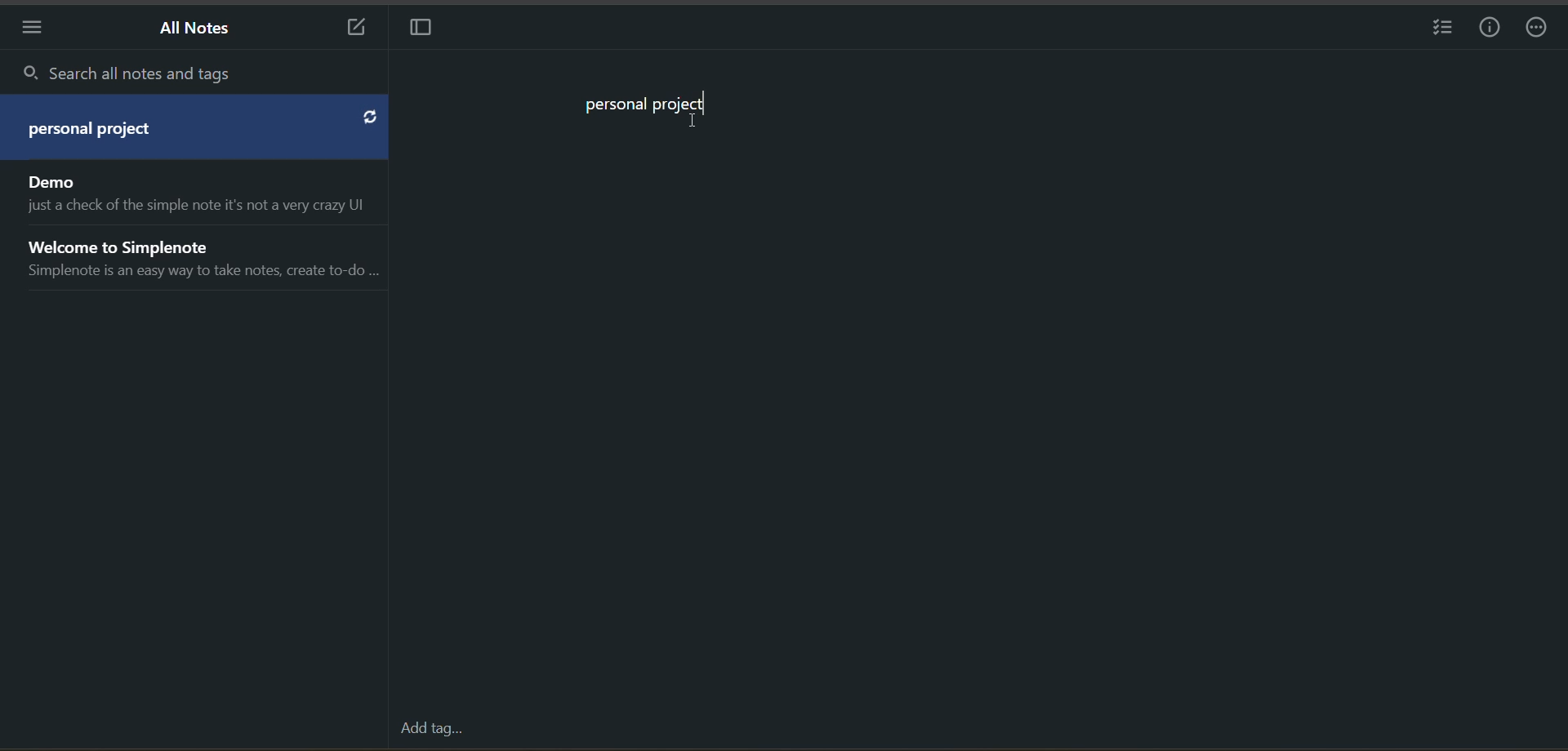 The width and height of the screenshot is (1568, 751). Describe the element at coordinates (30, 31) in the screenshot. I see `menu` at that location.